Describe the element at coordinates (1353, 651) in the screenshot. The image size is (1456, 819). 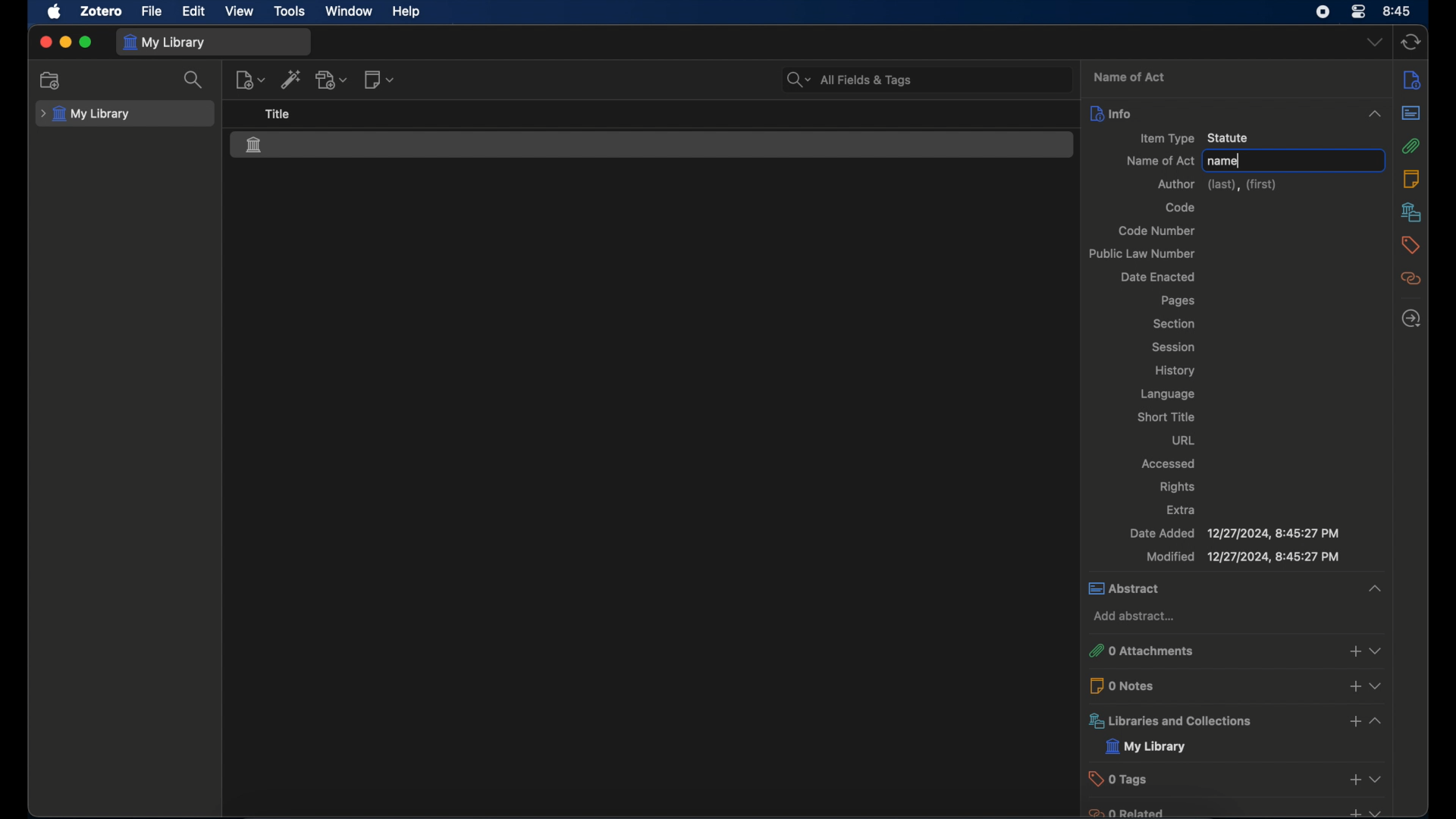
I see `add attachments` at that location.